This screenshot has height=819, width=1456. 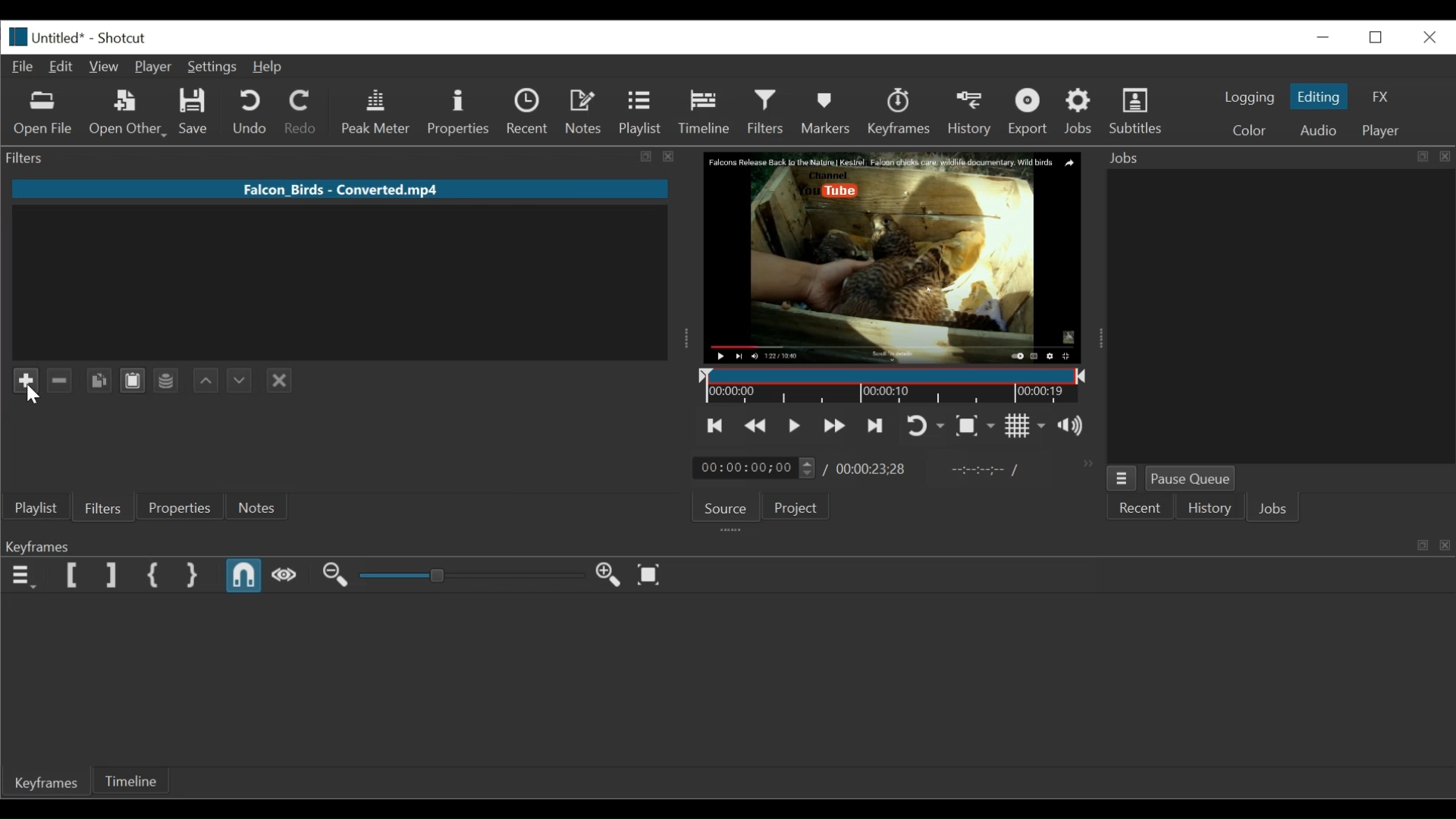 I want to click on Pause Queue, so click(x=1190, y=479).